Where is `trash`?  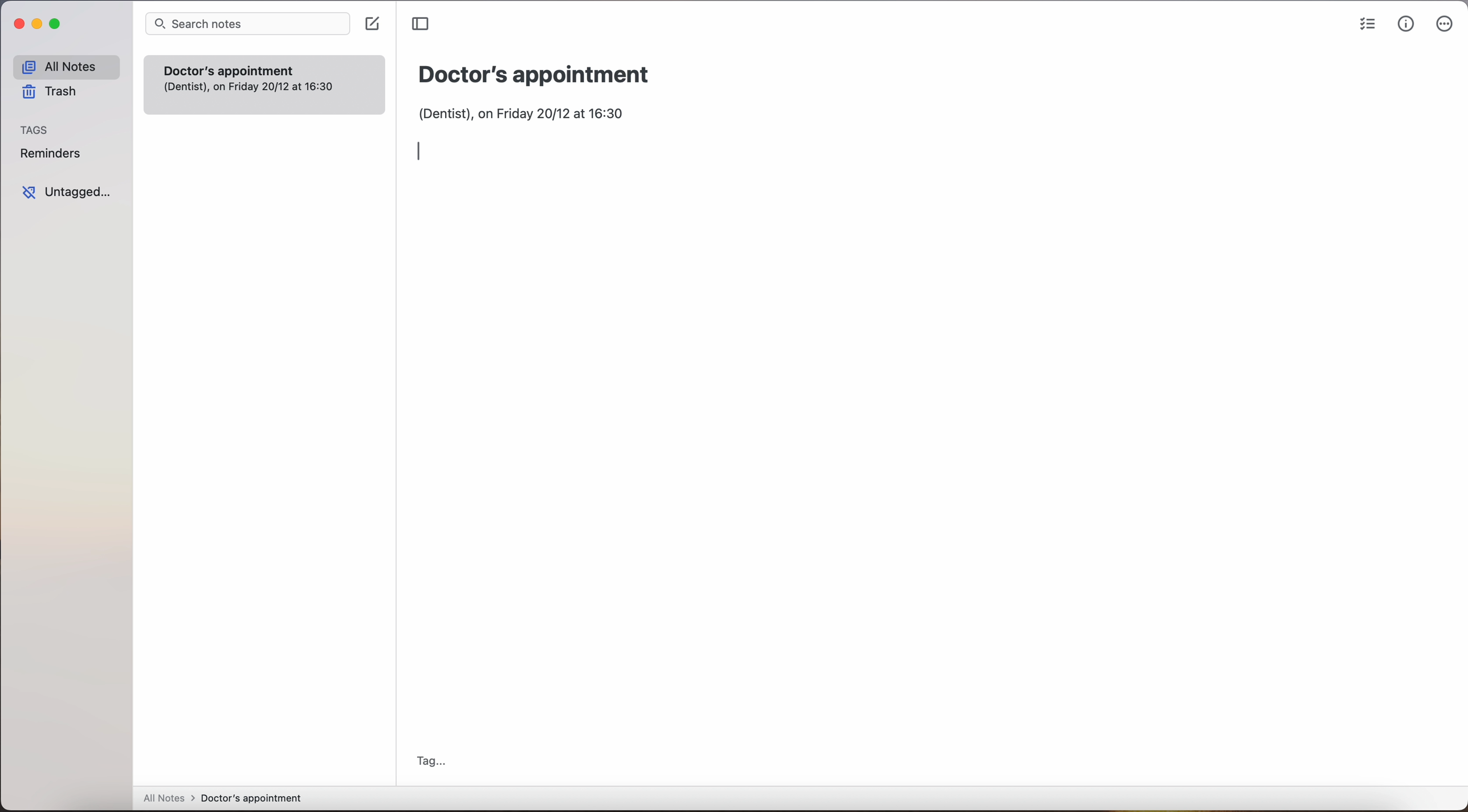
trash is located at coordinates (51, 92).